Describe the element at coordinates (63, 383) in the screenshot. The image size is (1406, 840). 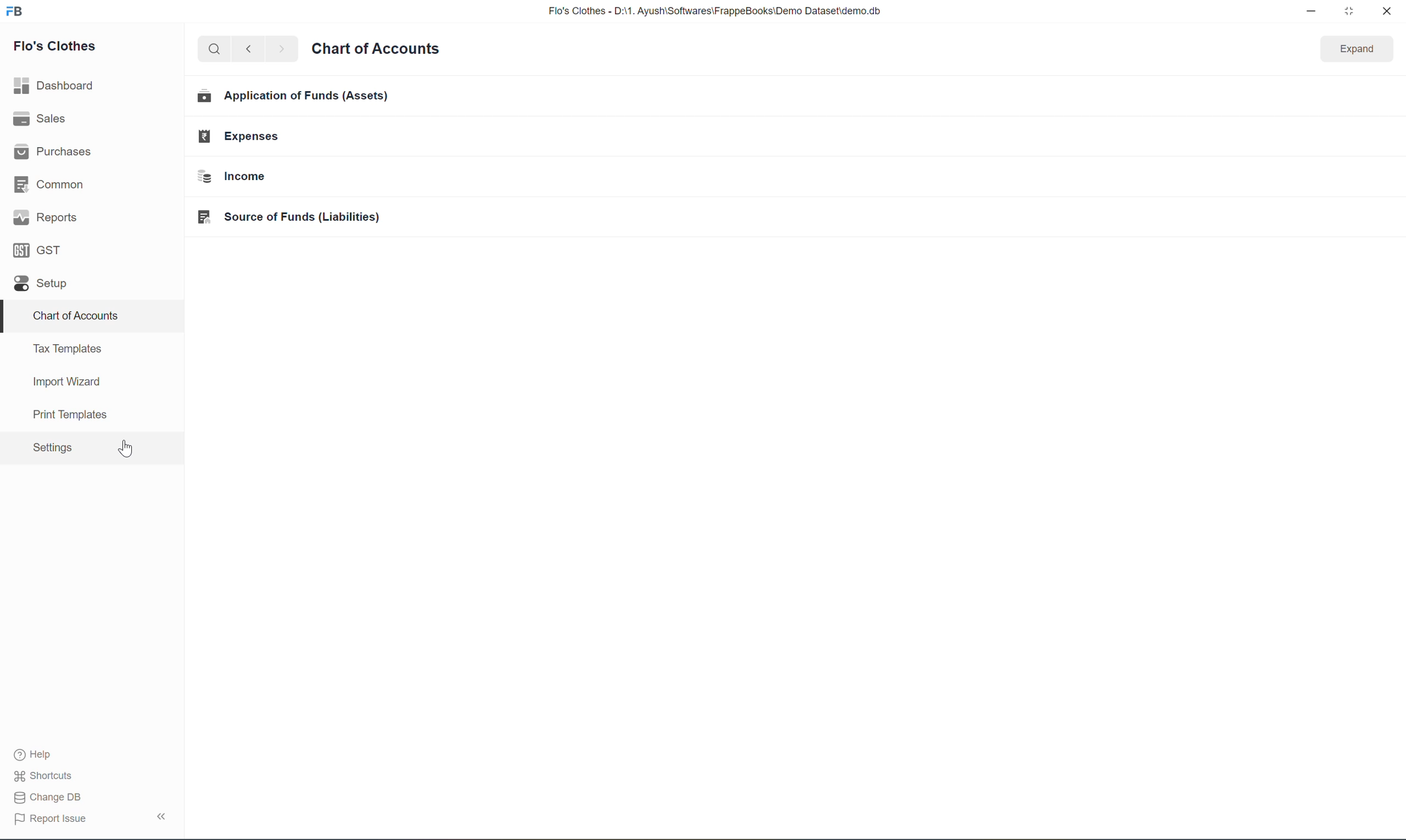
I see `Import Wizard` at that location.